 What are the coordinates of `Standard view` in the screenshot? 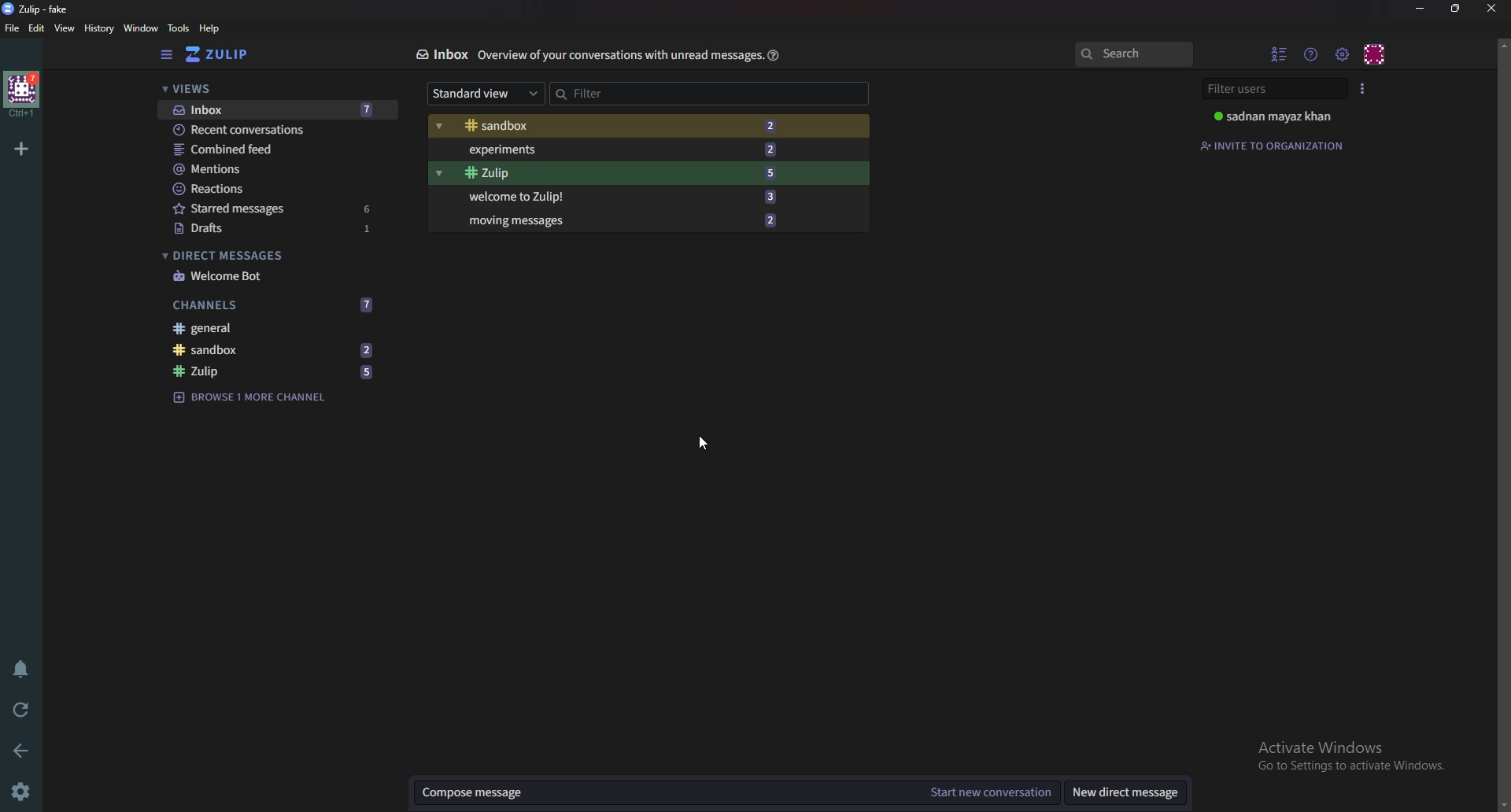 It's located at (485, 92).